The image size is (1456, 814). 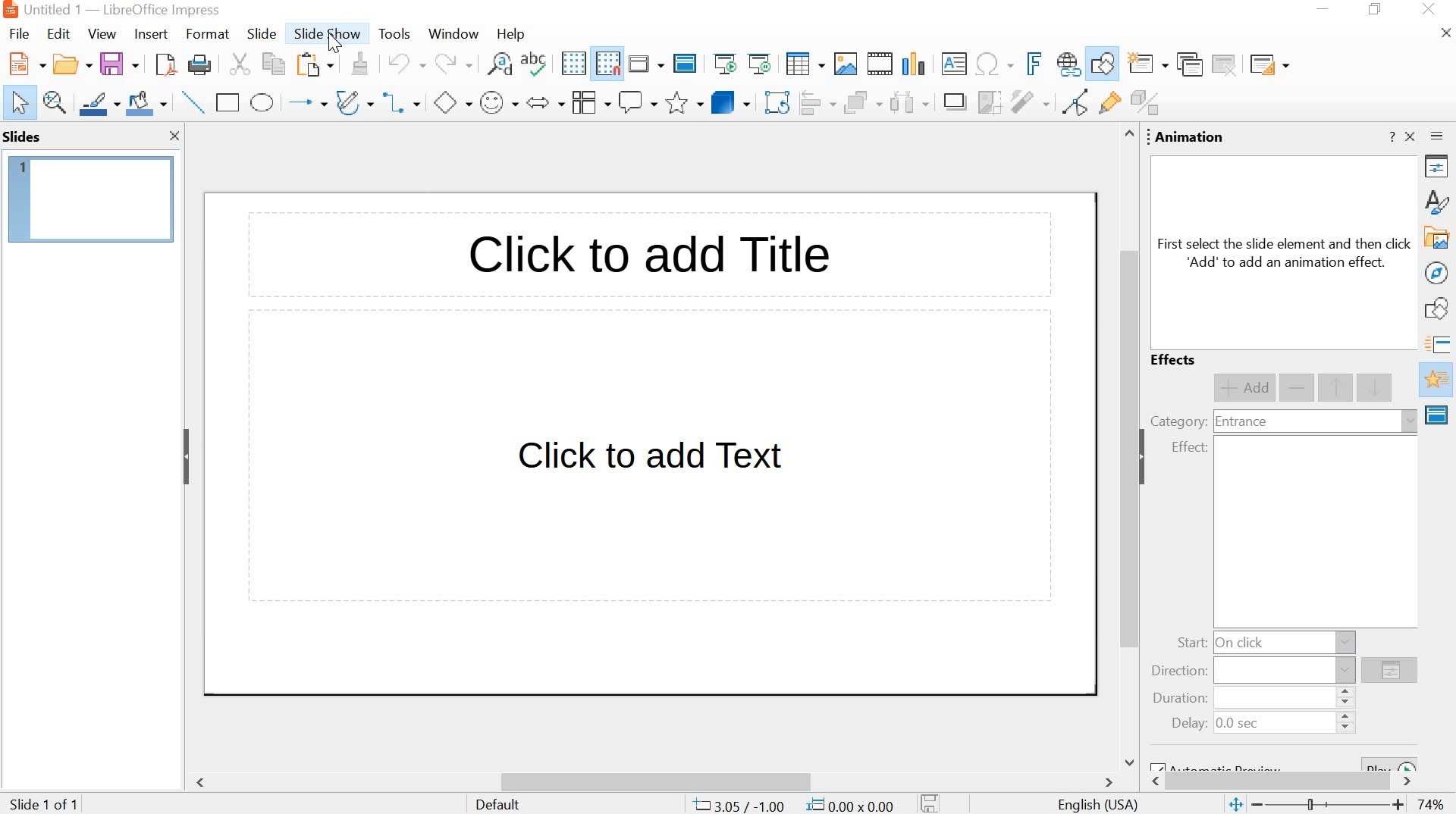 What do you see at coordinates (1259, 805) in the screenshot?
I see `zoom out` at bounding box center [1259, 805].